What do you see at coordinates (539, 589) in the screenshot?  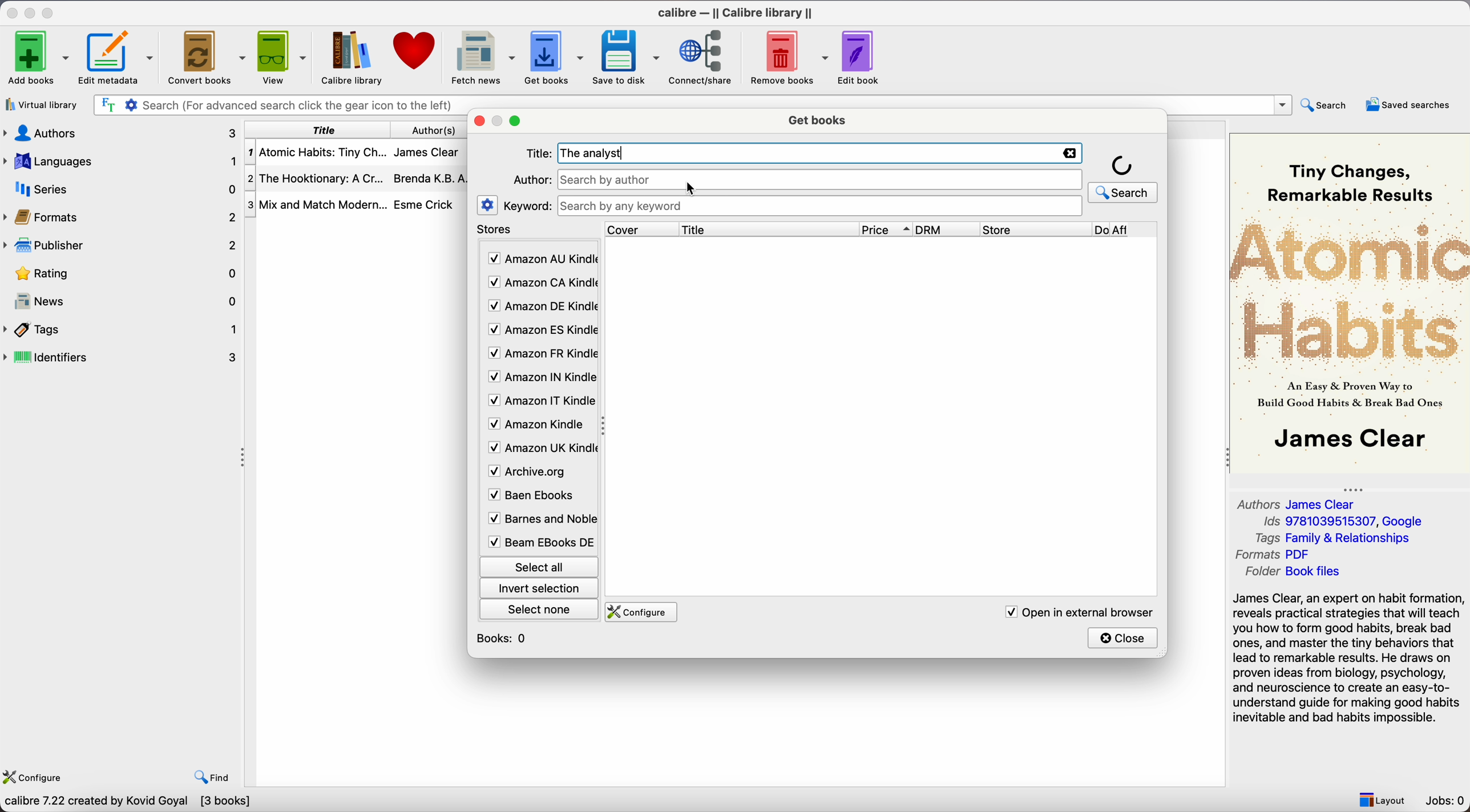 I see `invert selection` at bounding box center [539, 589].